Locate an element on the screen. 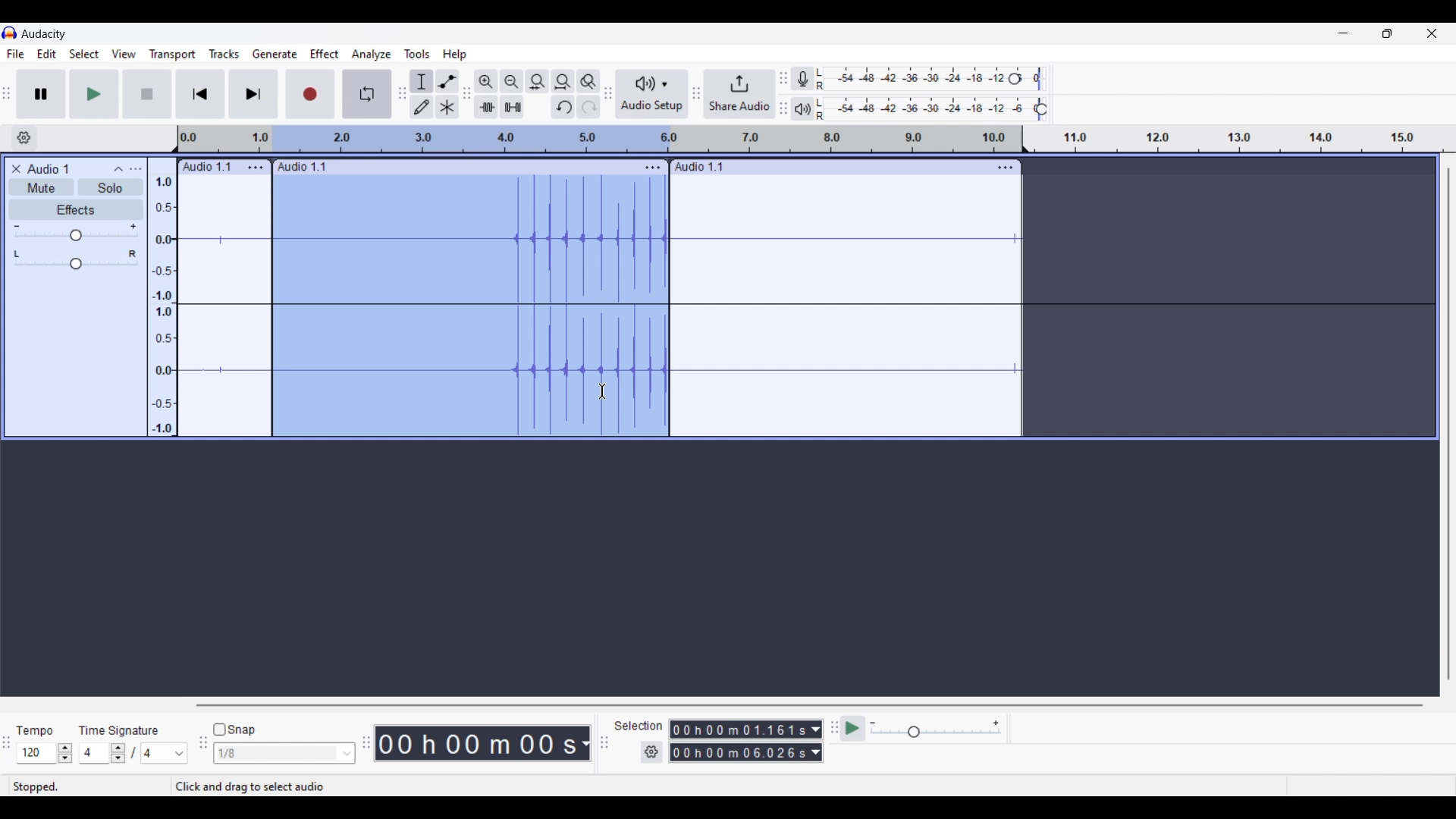 The width and height of the screenshot is (1456, 819). Edit menu is located at coordinates (47, 53).